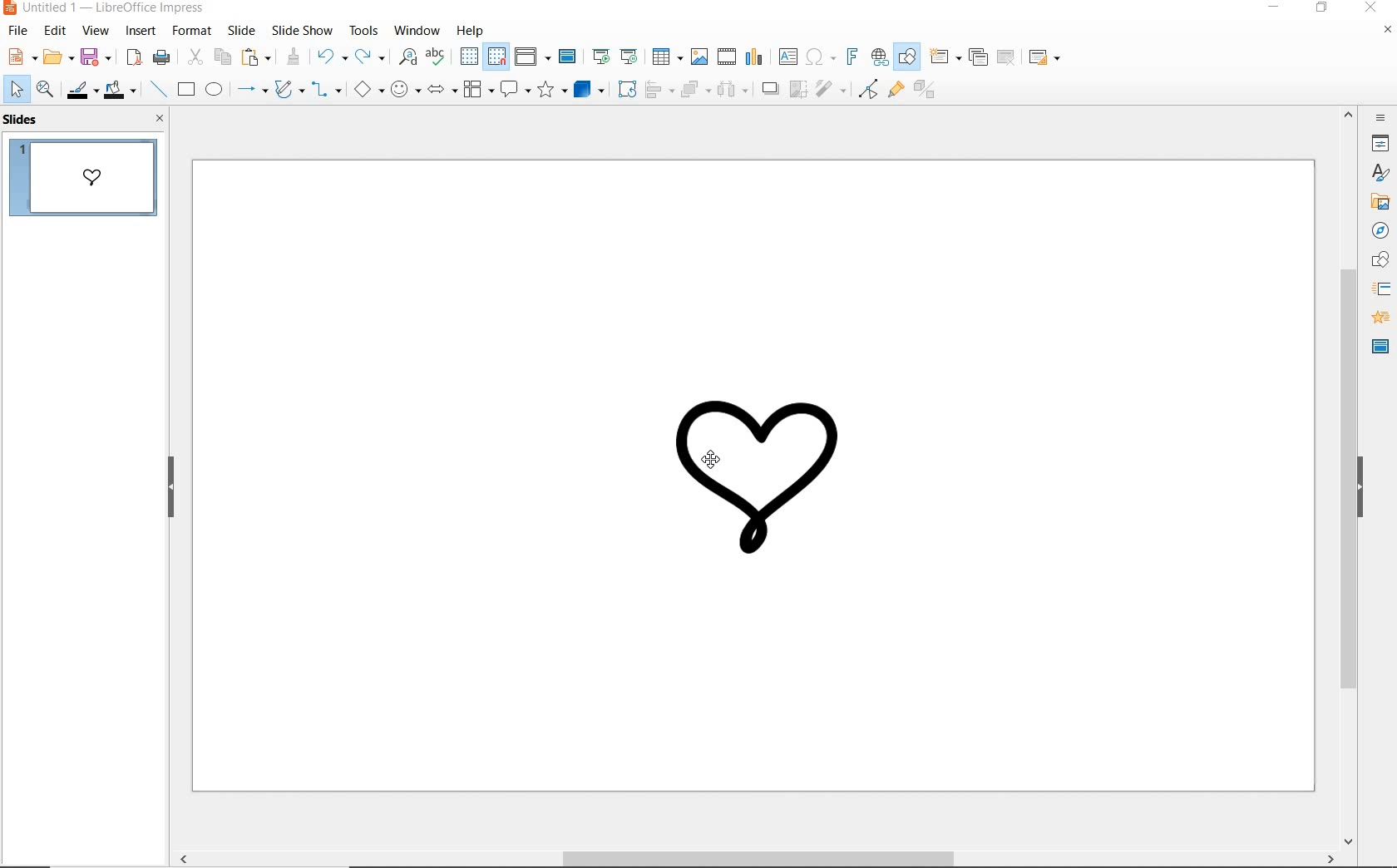 This screenshot has height=868, width=1397. What do you see at coordinates (16, 91) in the screenshot?
I see `select` at bounding box center [16, 91].